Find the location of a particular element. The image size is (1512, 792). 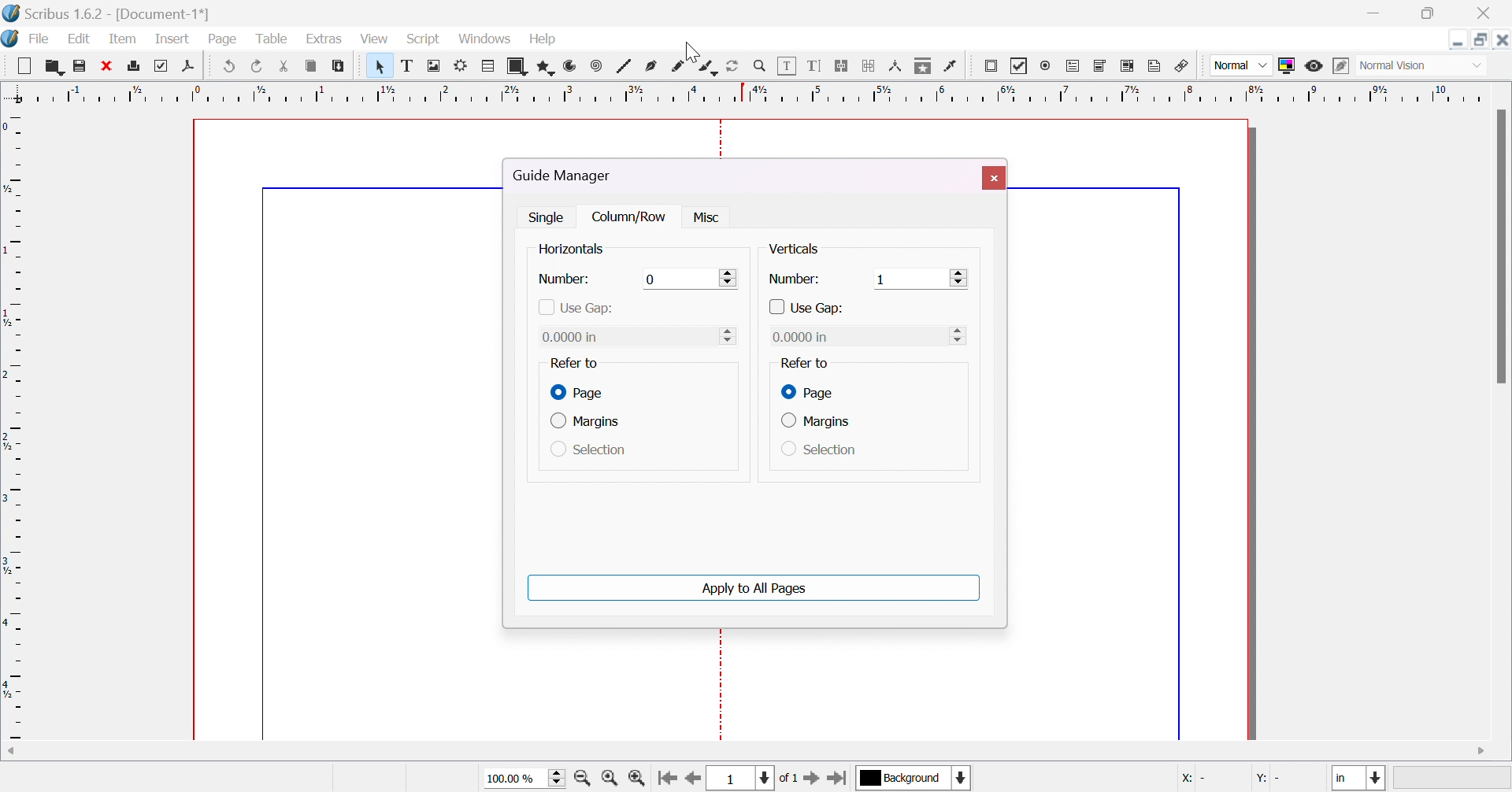

preview  mode is located at coordinates (1314, 66).